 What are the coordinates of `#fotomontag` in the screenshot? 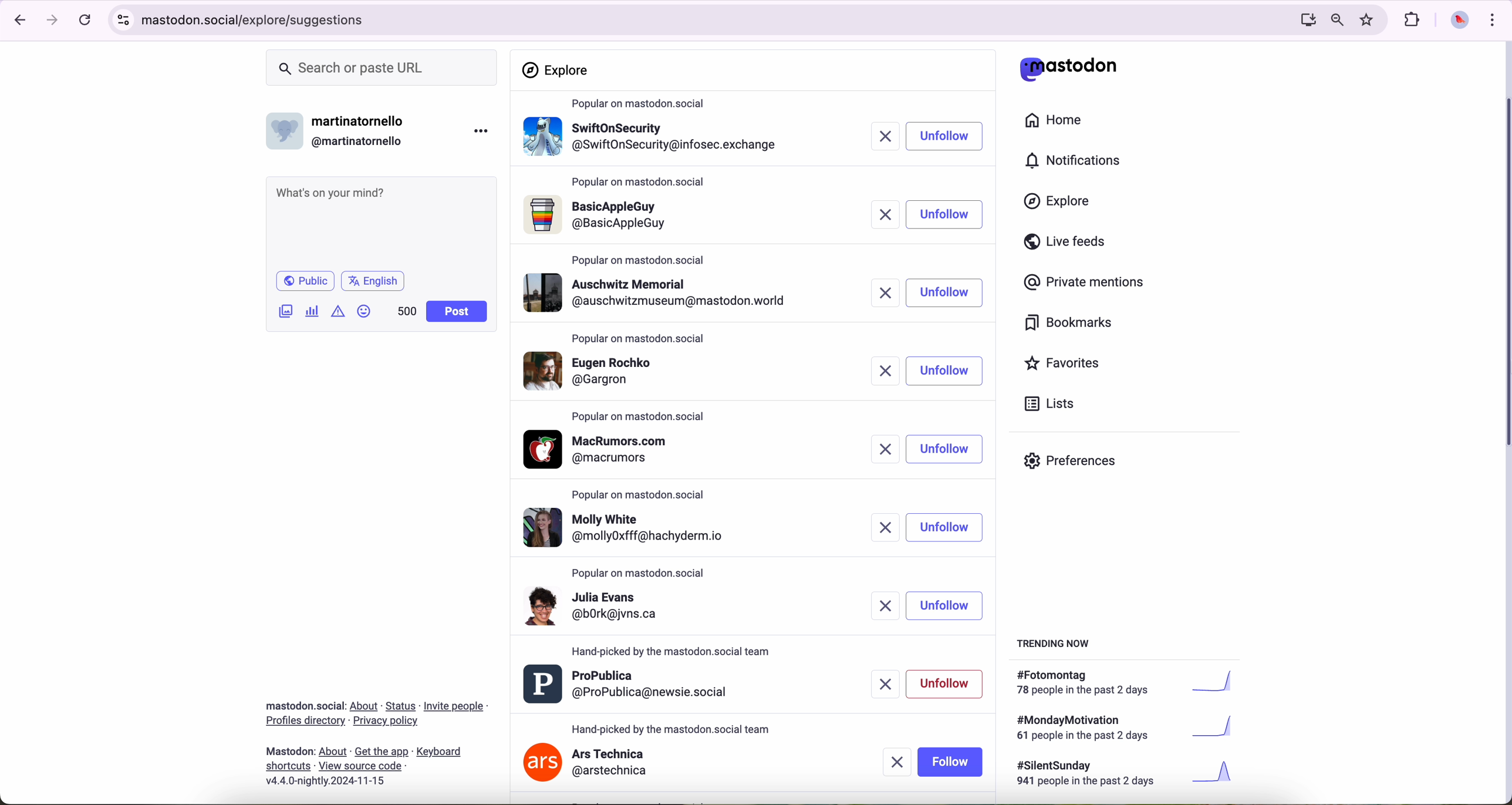 It's located at (1133, 683).